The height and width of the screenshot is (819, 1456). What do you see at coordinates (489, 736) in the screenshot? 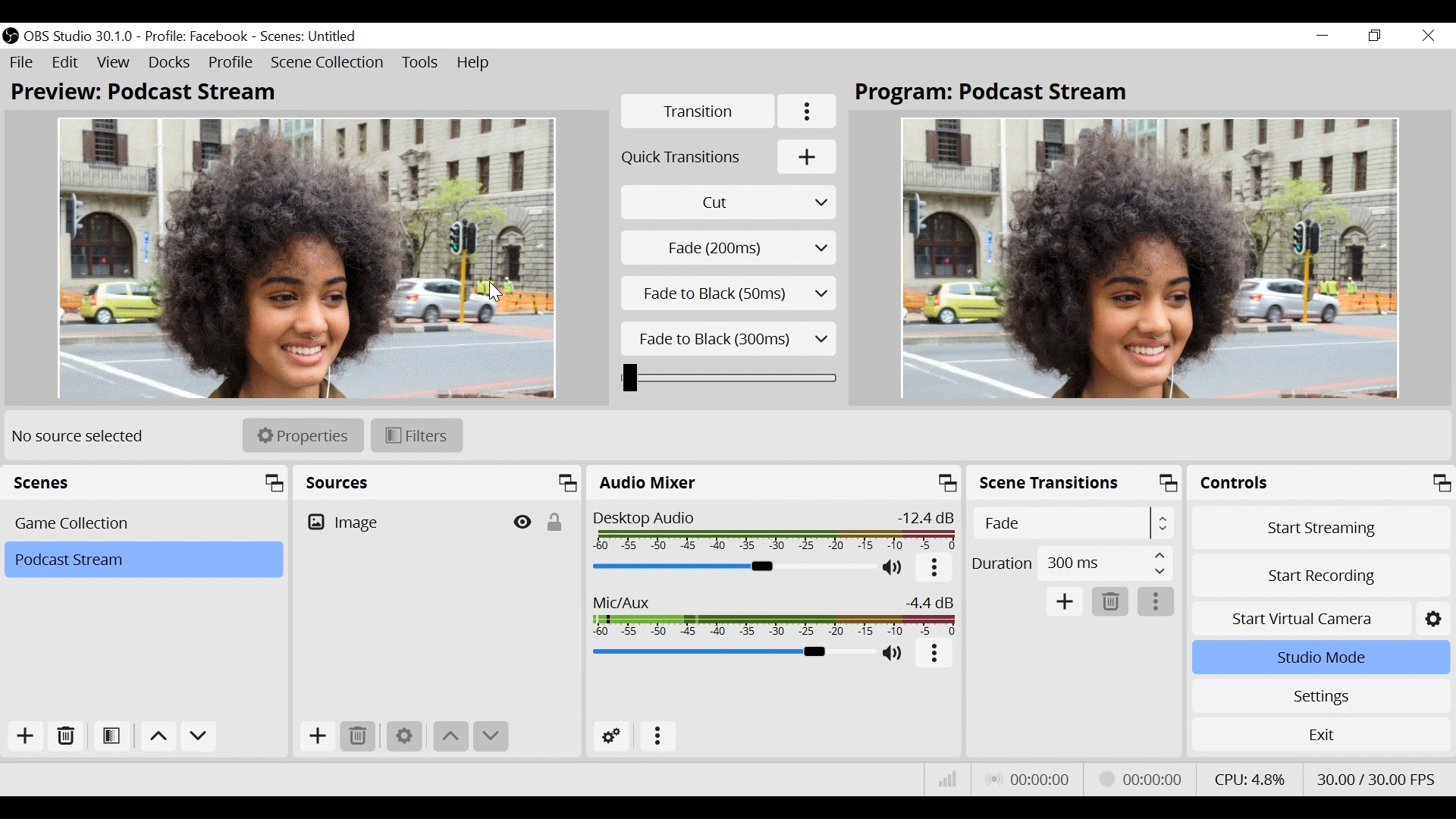
I see `move down ` at bounding box center [489, 736].